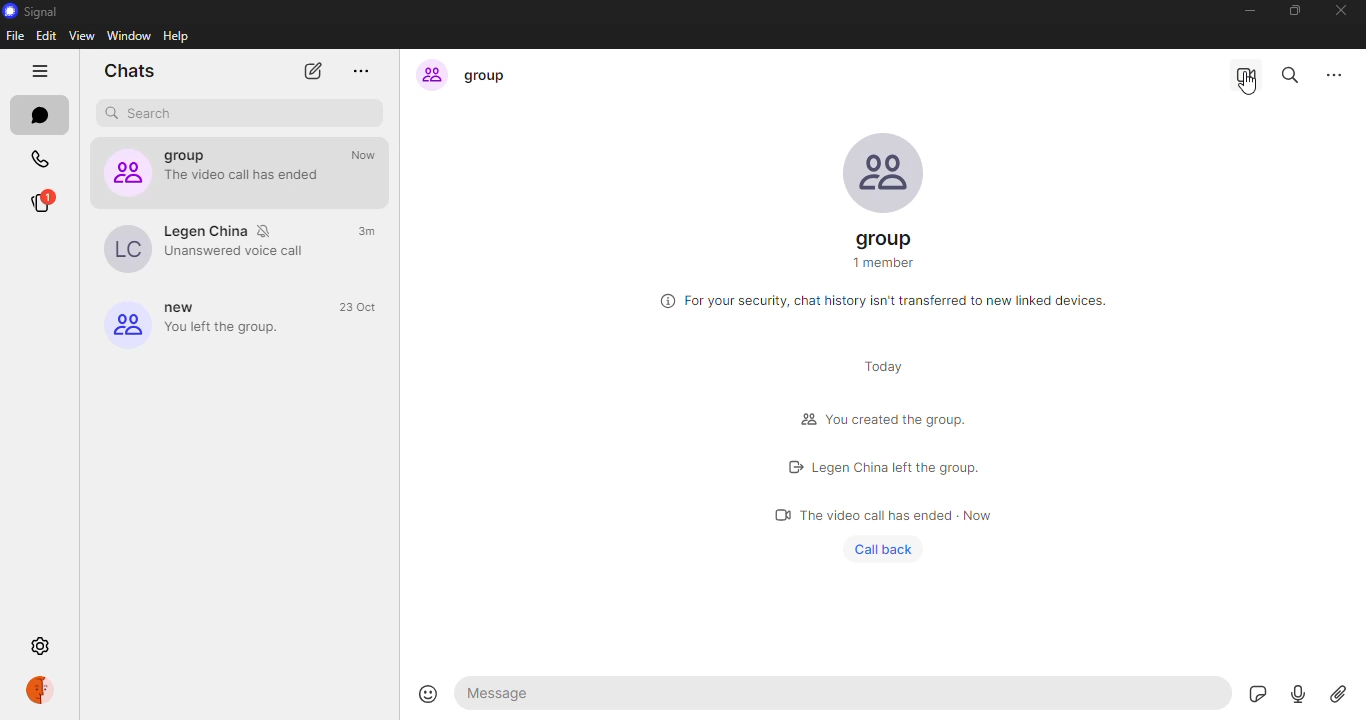 The image size is (1366, 720). Describe the element at coordinates (47, 36) in the screenshot. I see `edit` at that location.